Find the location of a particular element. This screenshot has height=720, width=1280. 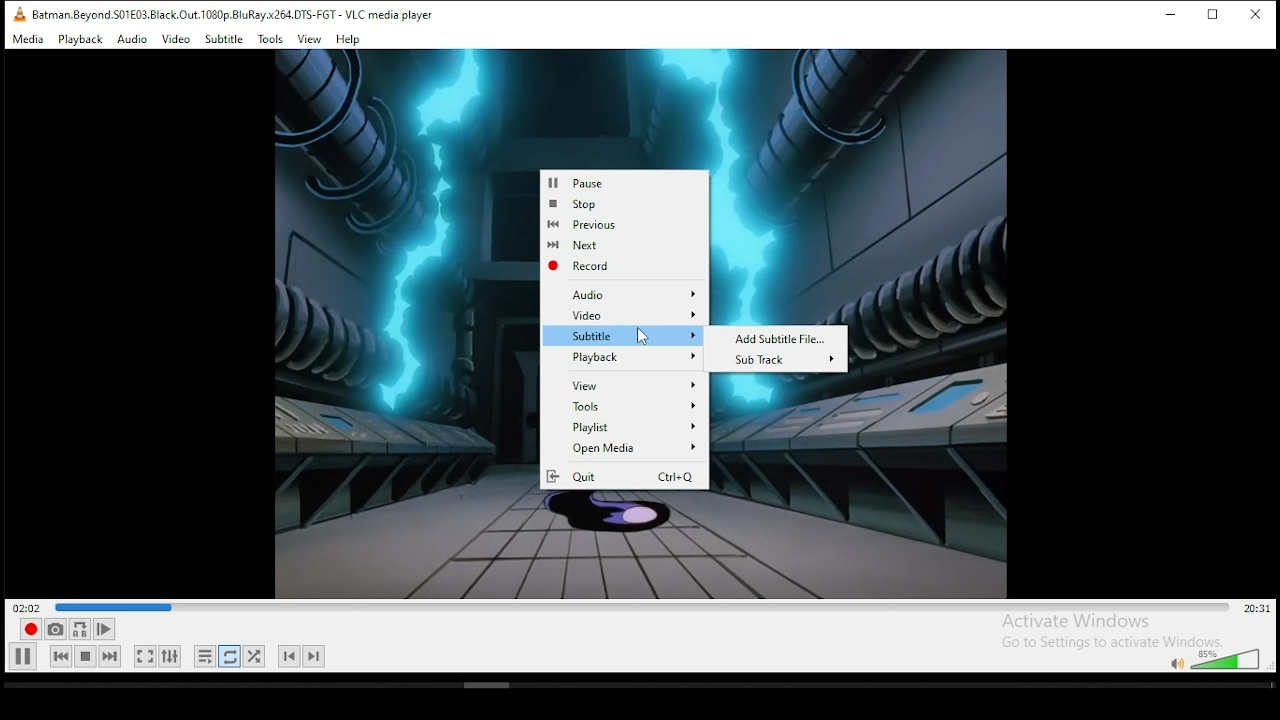

tools is located at coordinates (271, 40).